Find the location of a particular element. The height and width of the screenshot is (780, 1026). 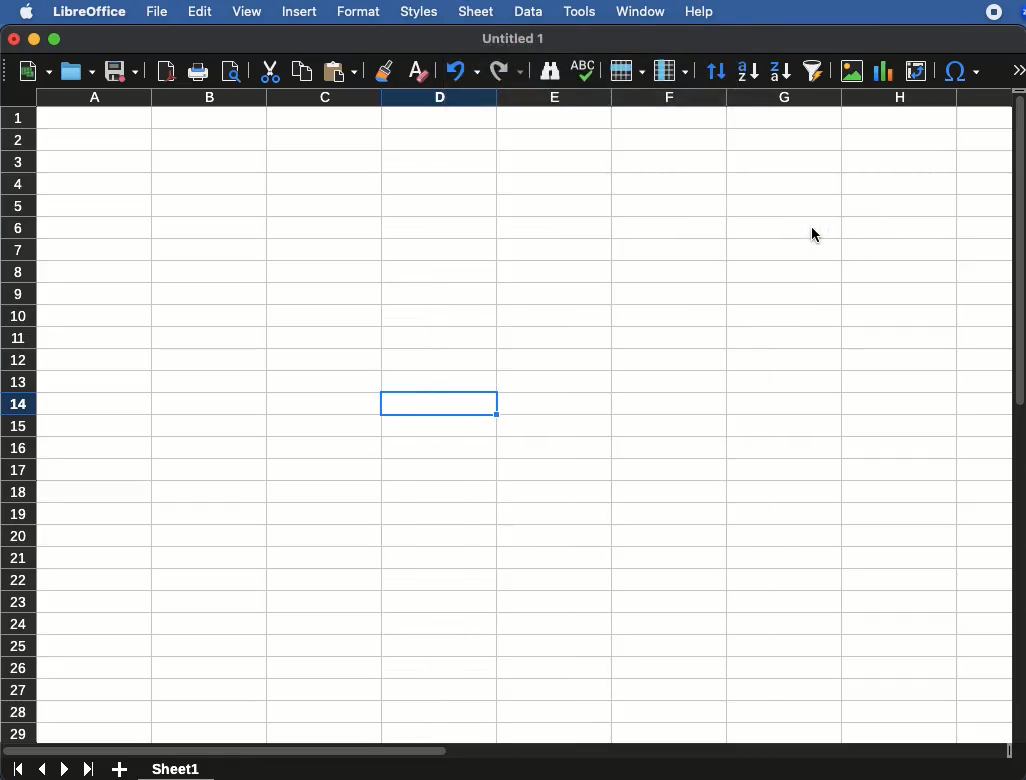

print is located at coordinates (199, 73).